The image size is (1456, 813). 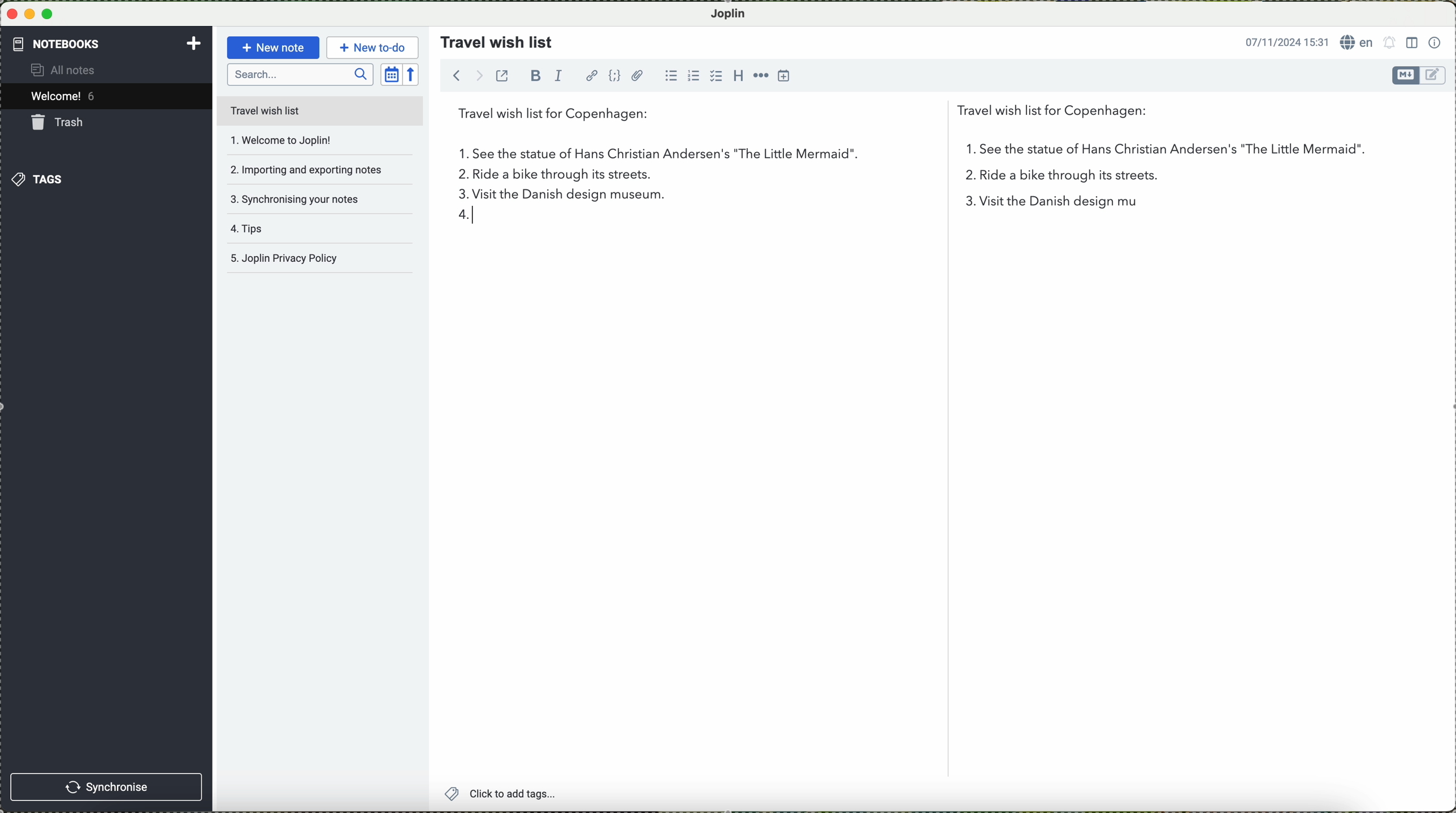 I want to click on Joplin, so click(x=734, y=13).